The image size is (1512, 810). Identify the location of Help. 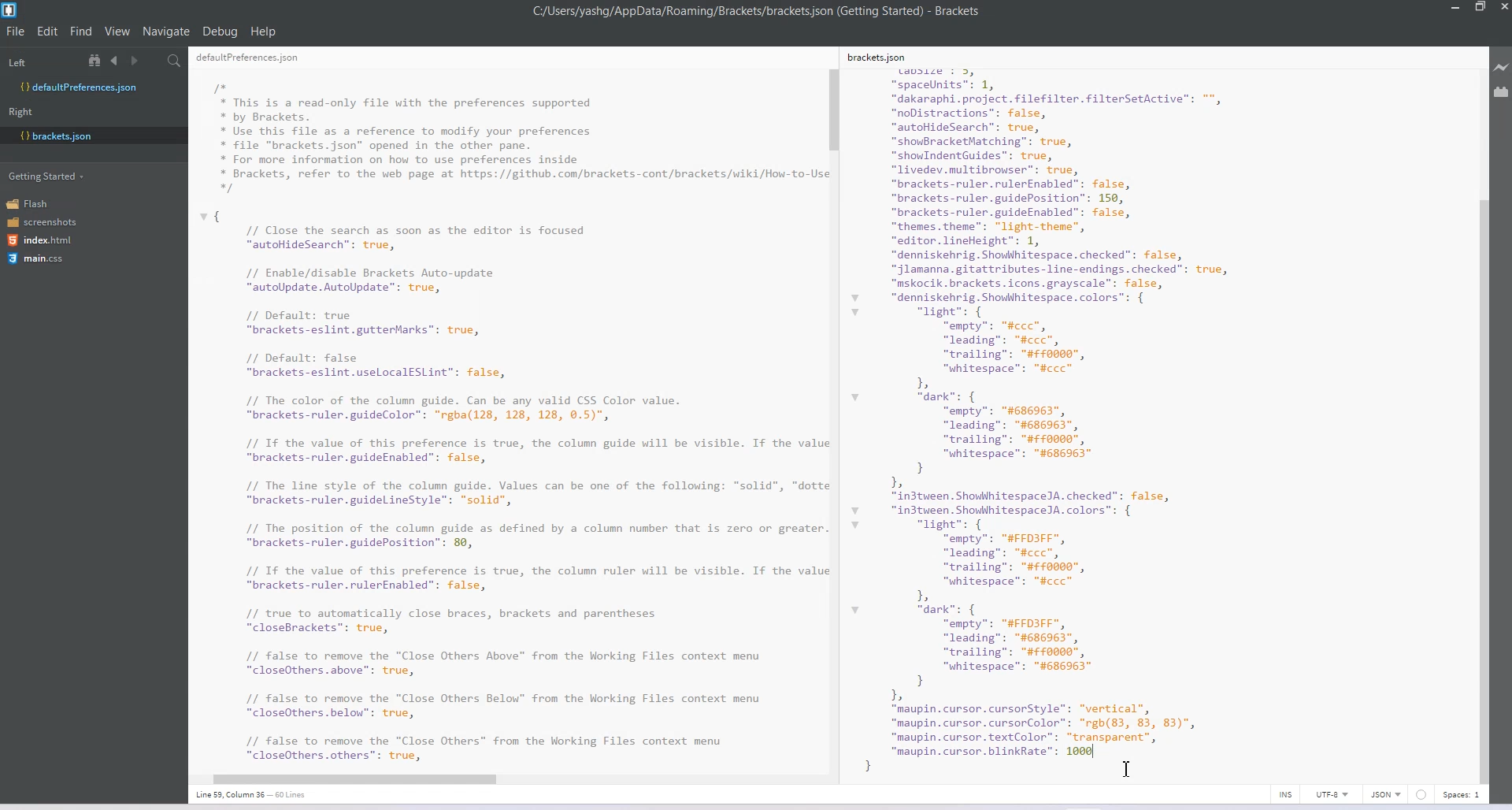
(264, 32).